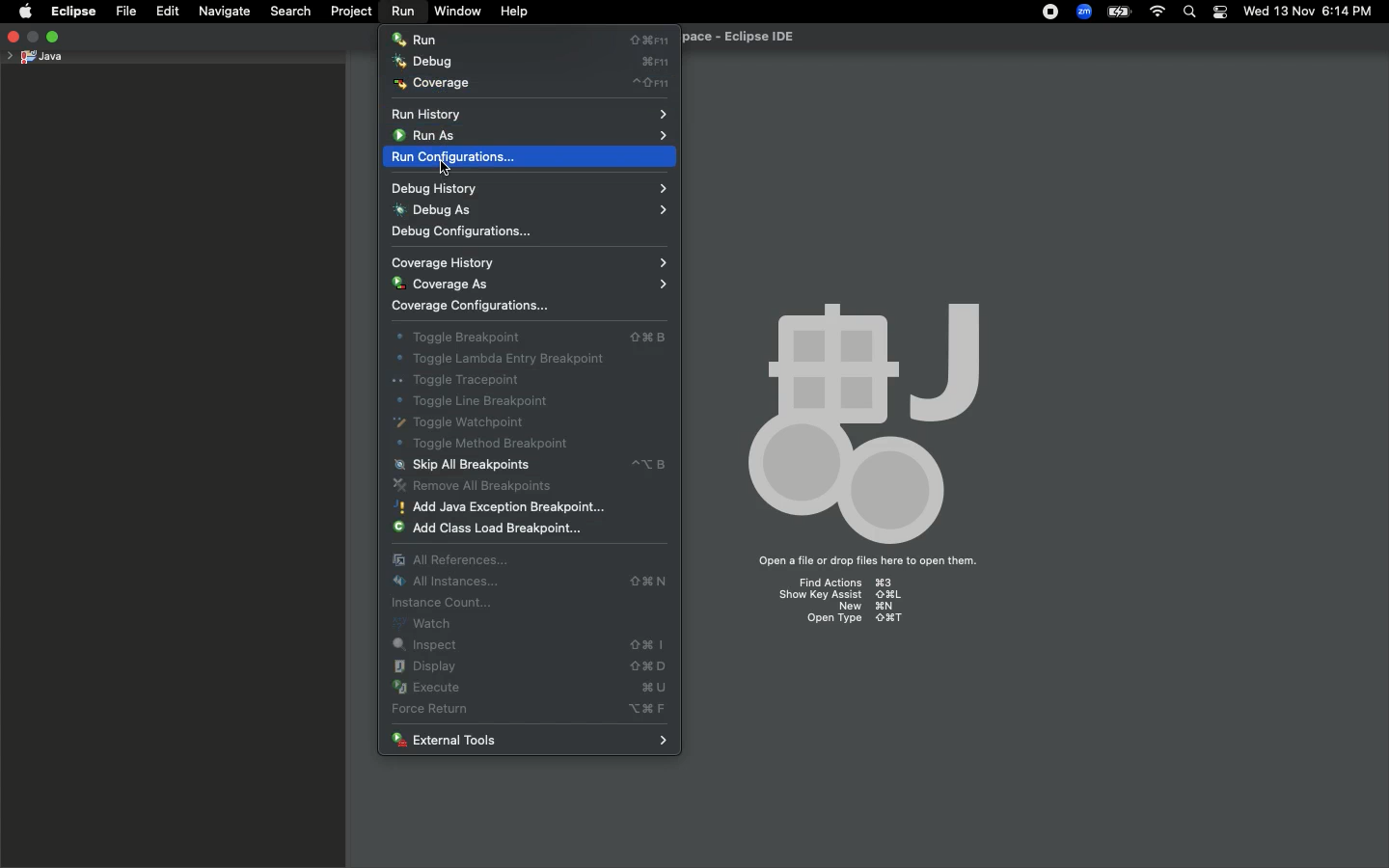  Describe the element at coordinates (530, 209) in the screenshot. I see `Debug as` at that location.